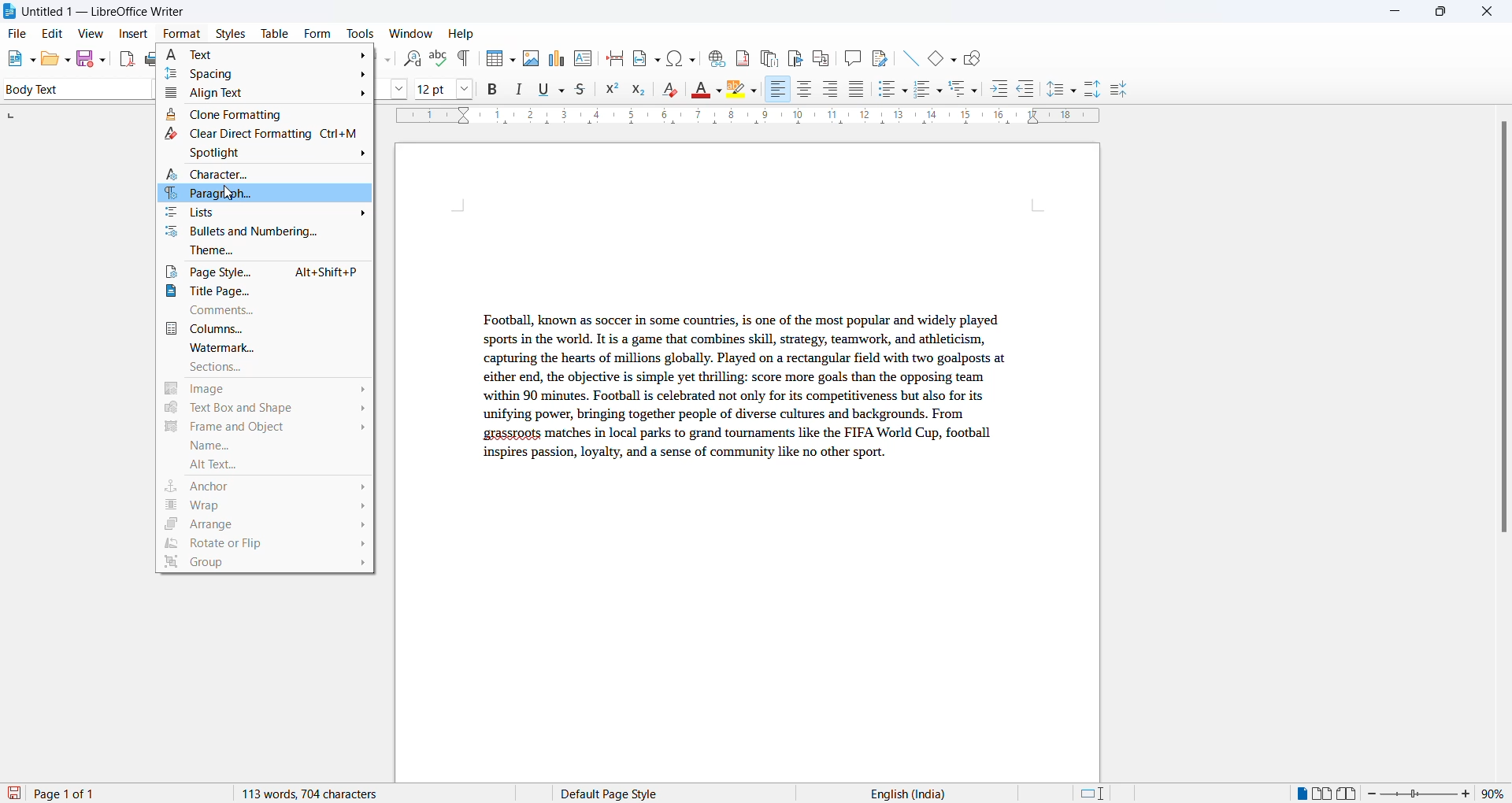 The height and width of the screenshot is (803, 1512). Describe the element at coordinates (1300, 794) in the screenshot. I see `single page view` at that location.